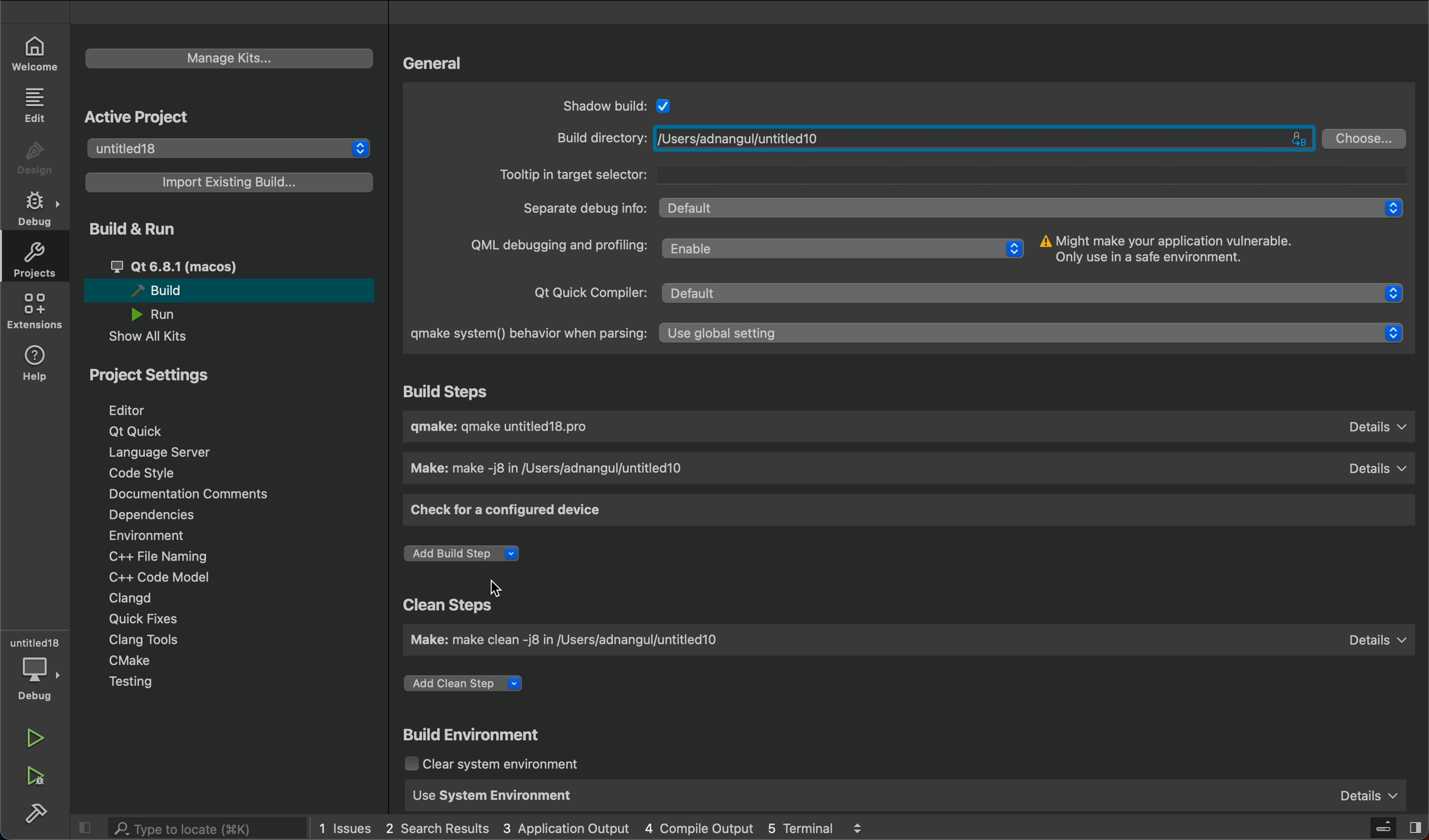 Image resolution: width=1429 pixels, height=840 pixels. I want to click on Build Steps, so click(450, 390).